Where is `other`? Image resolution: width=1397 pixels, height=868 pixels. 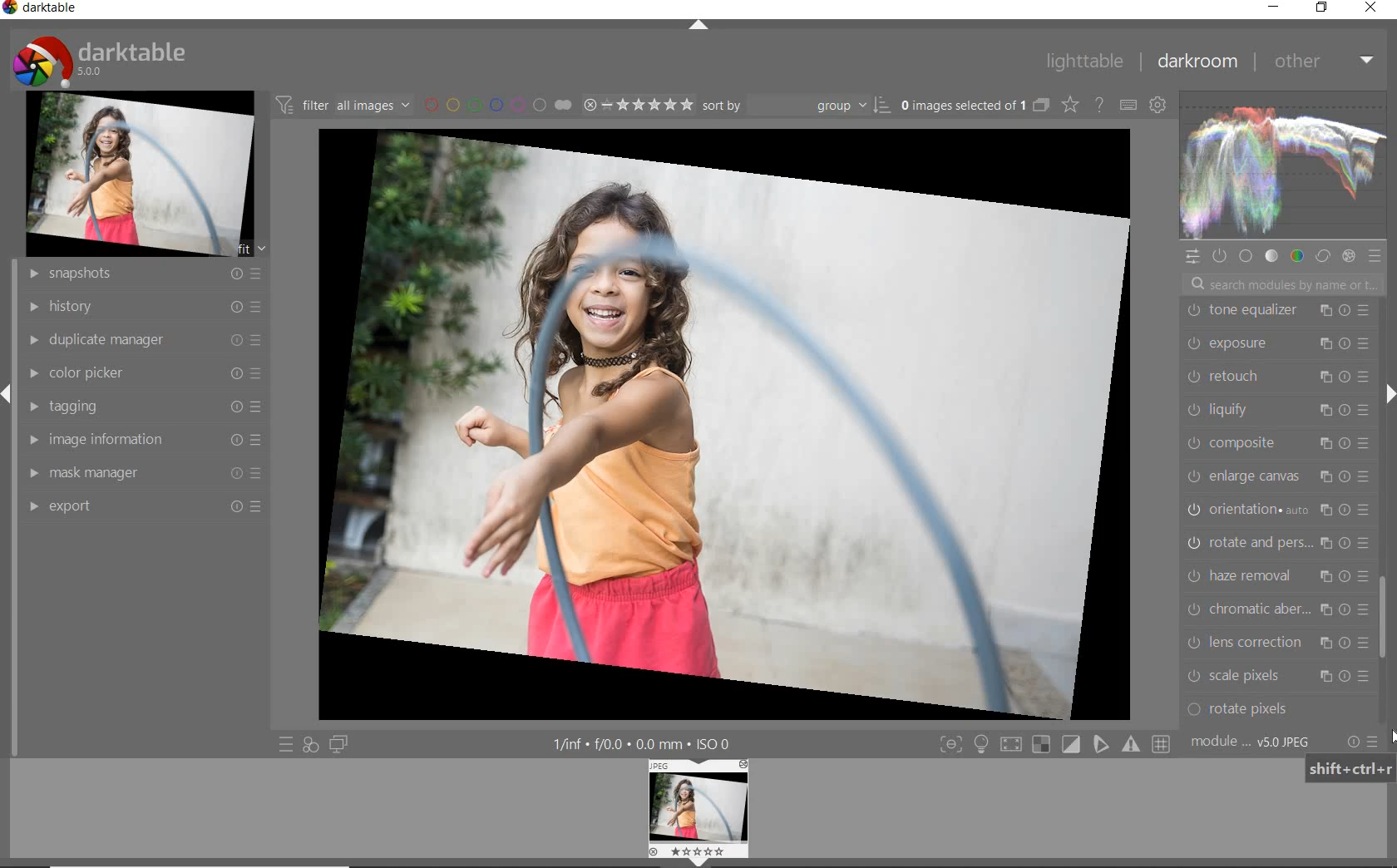 other is located at coordinates (1321, 61).